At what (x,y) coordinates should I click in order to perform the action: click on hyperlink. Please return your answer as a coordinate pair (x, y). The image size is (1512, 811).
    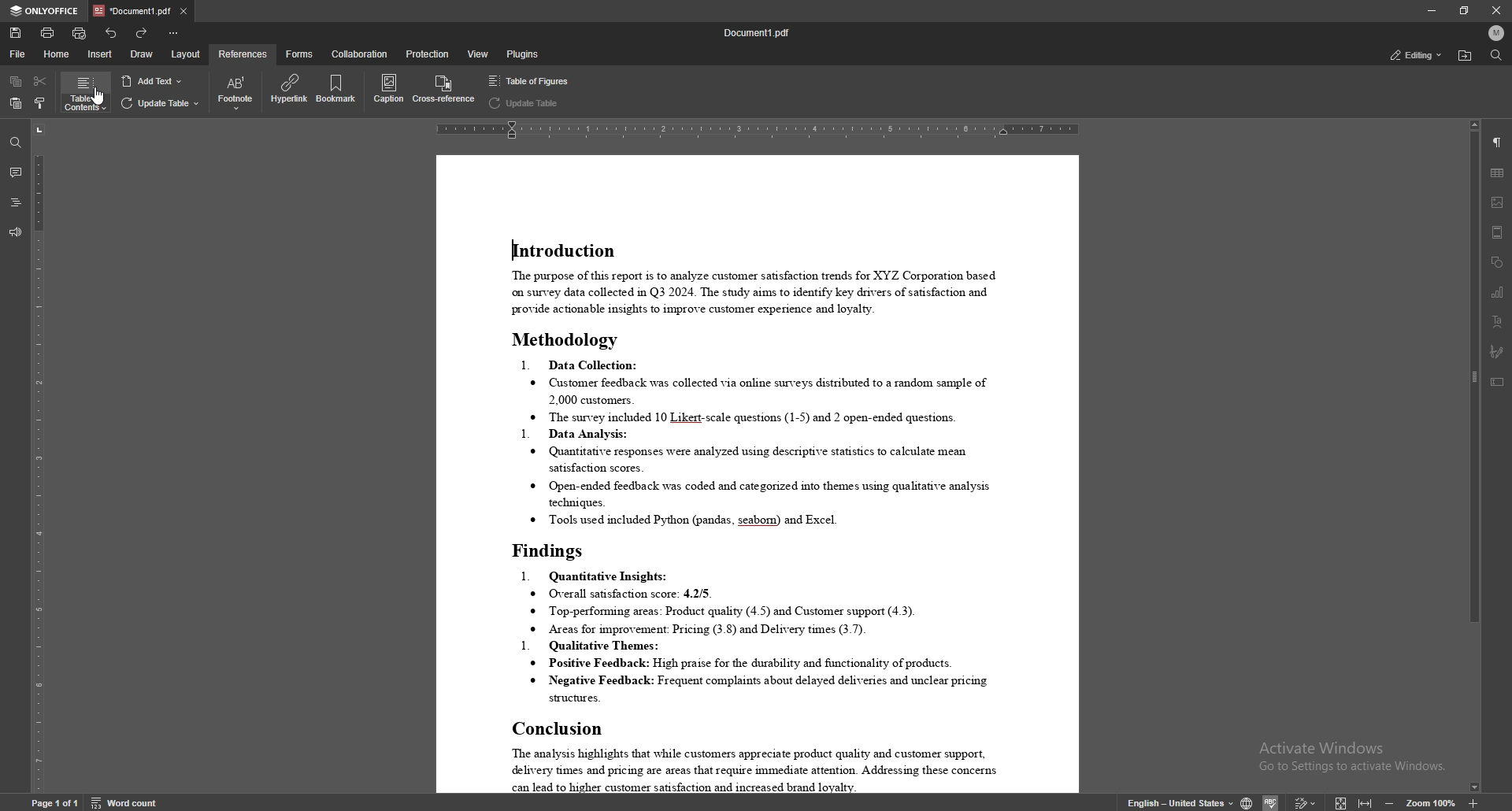
    Looking at the image, I should click on (292, 89).